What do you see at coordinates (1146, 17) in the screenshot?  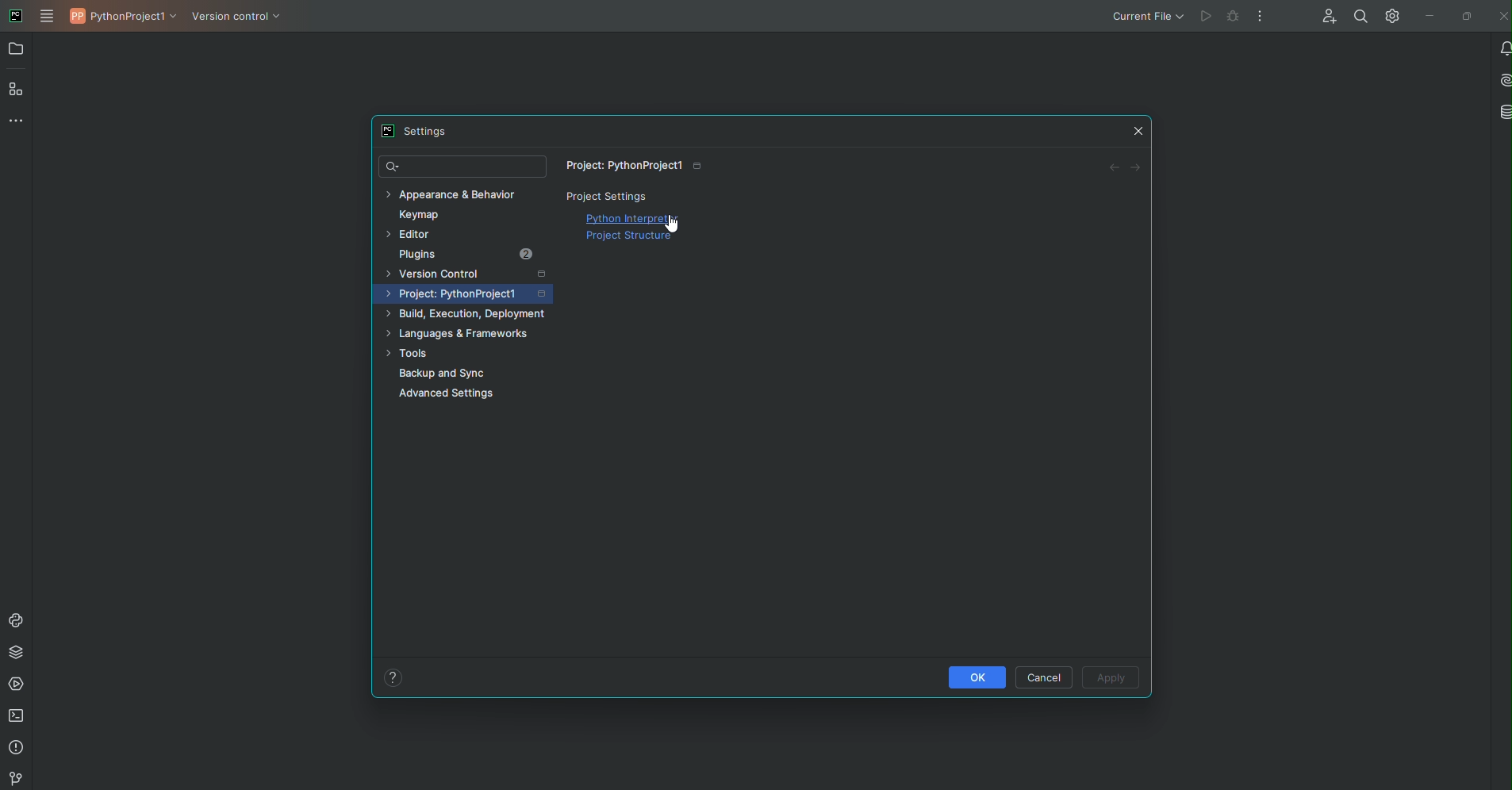 I see `Current file` at bounding box center [1146, 17].